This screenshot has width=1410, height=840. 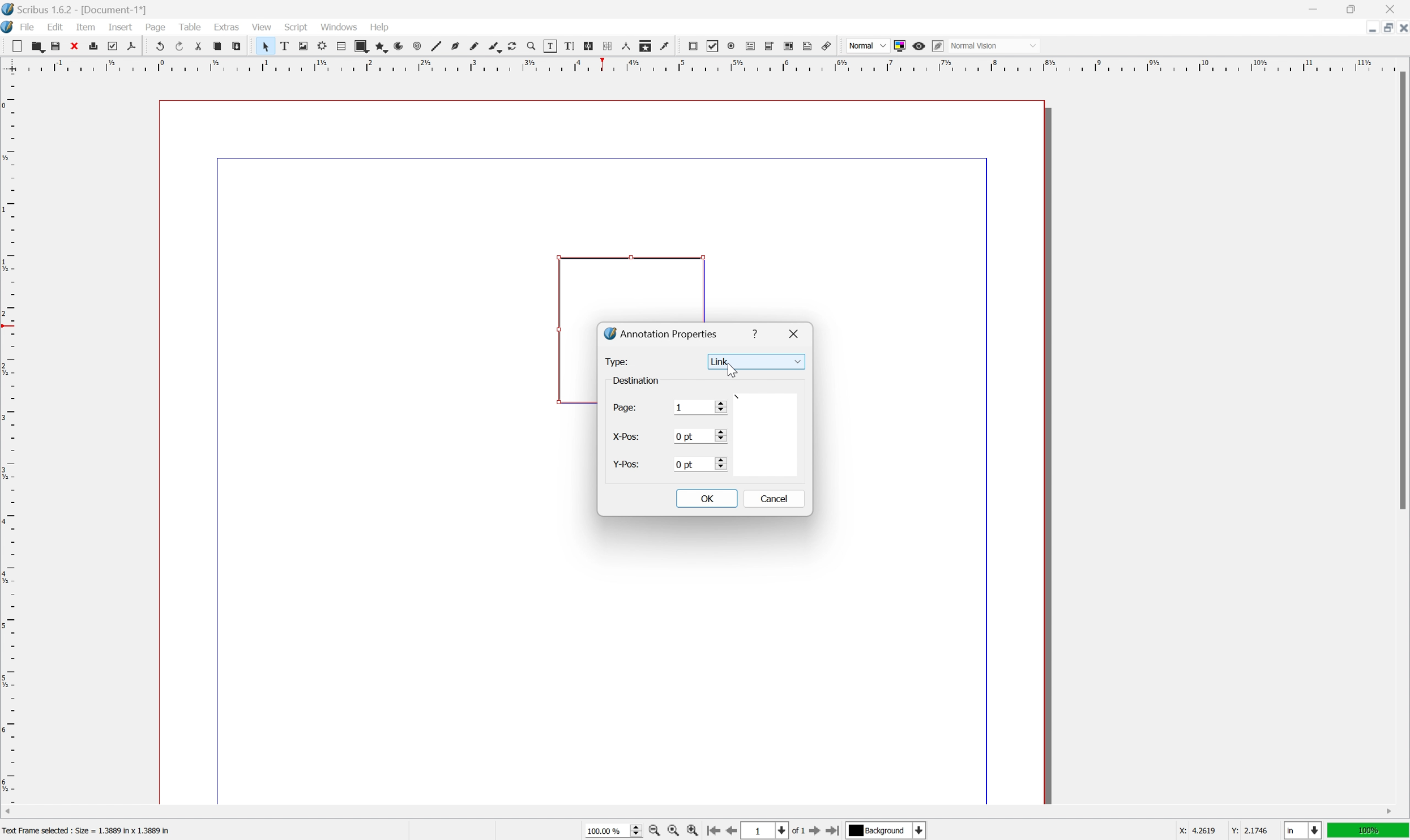 What do you see at coordinates (731, 46) in the screenshot?
I see `pdf radio button` at bounding box center [731, 46].